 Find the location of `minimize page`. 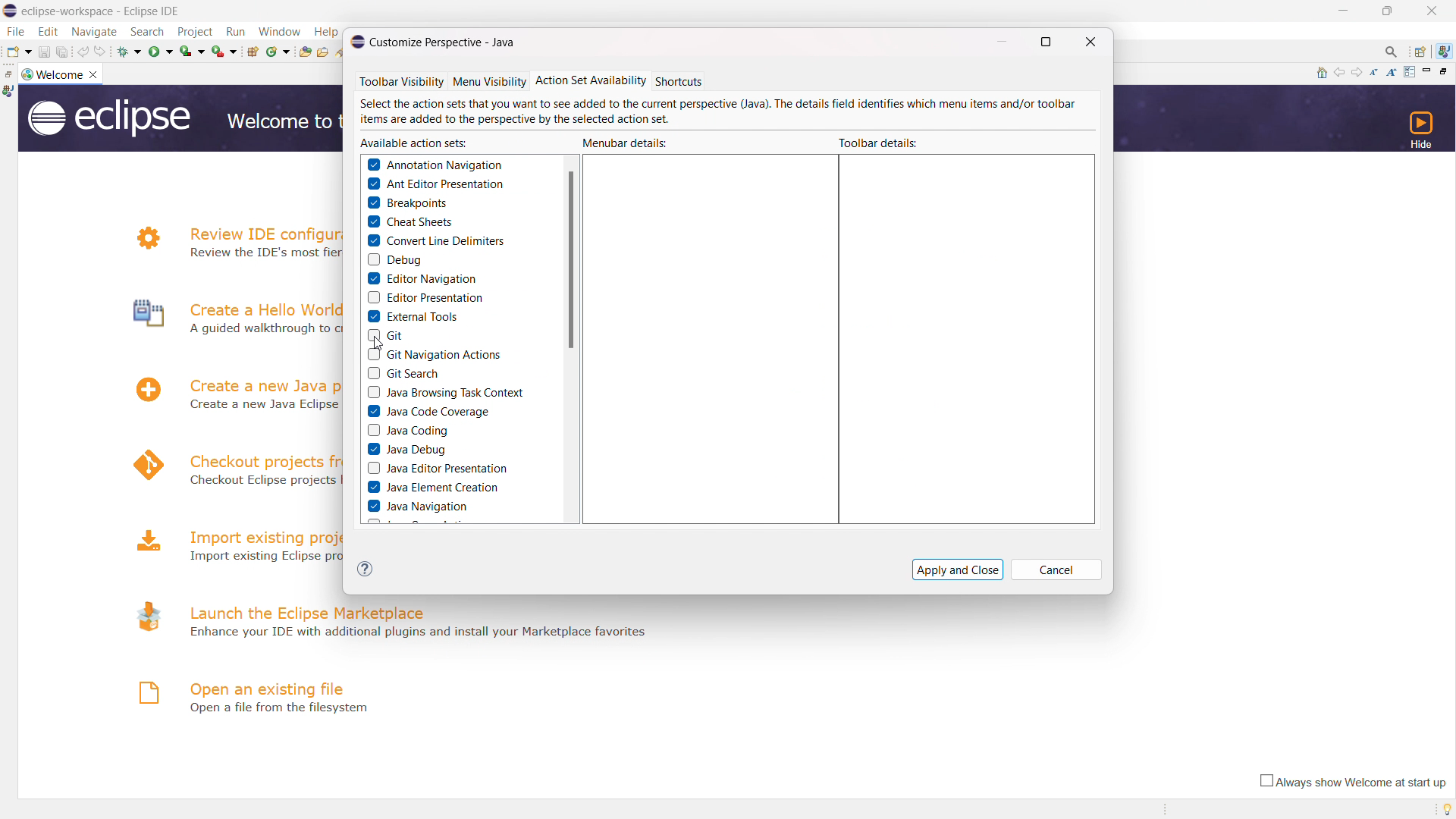

minimize page is located at coordinates (1427, 71).